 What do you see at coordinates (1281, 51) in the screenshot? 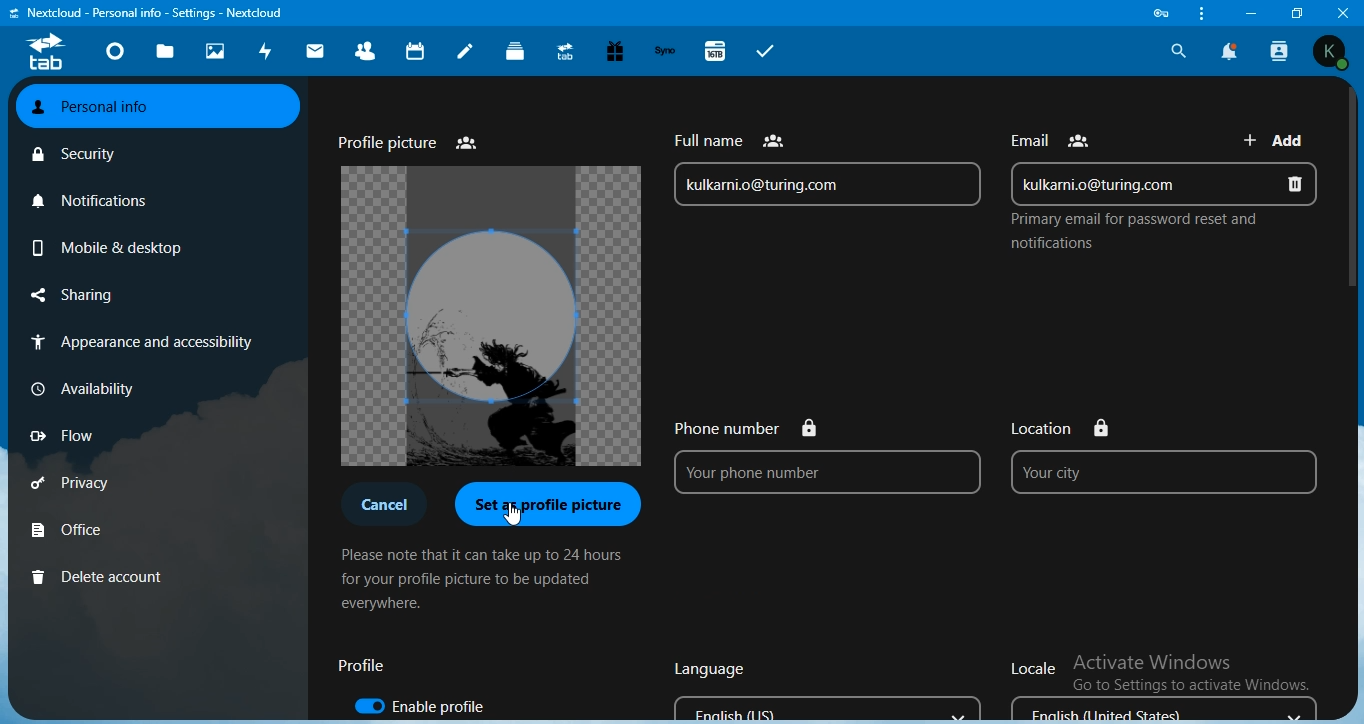
I see `search contact` at bounding box center [1281, 51].